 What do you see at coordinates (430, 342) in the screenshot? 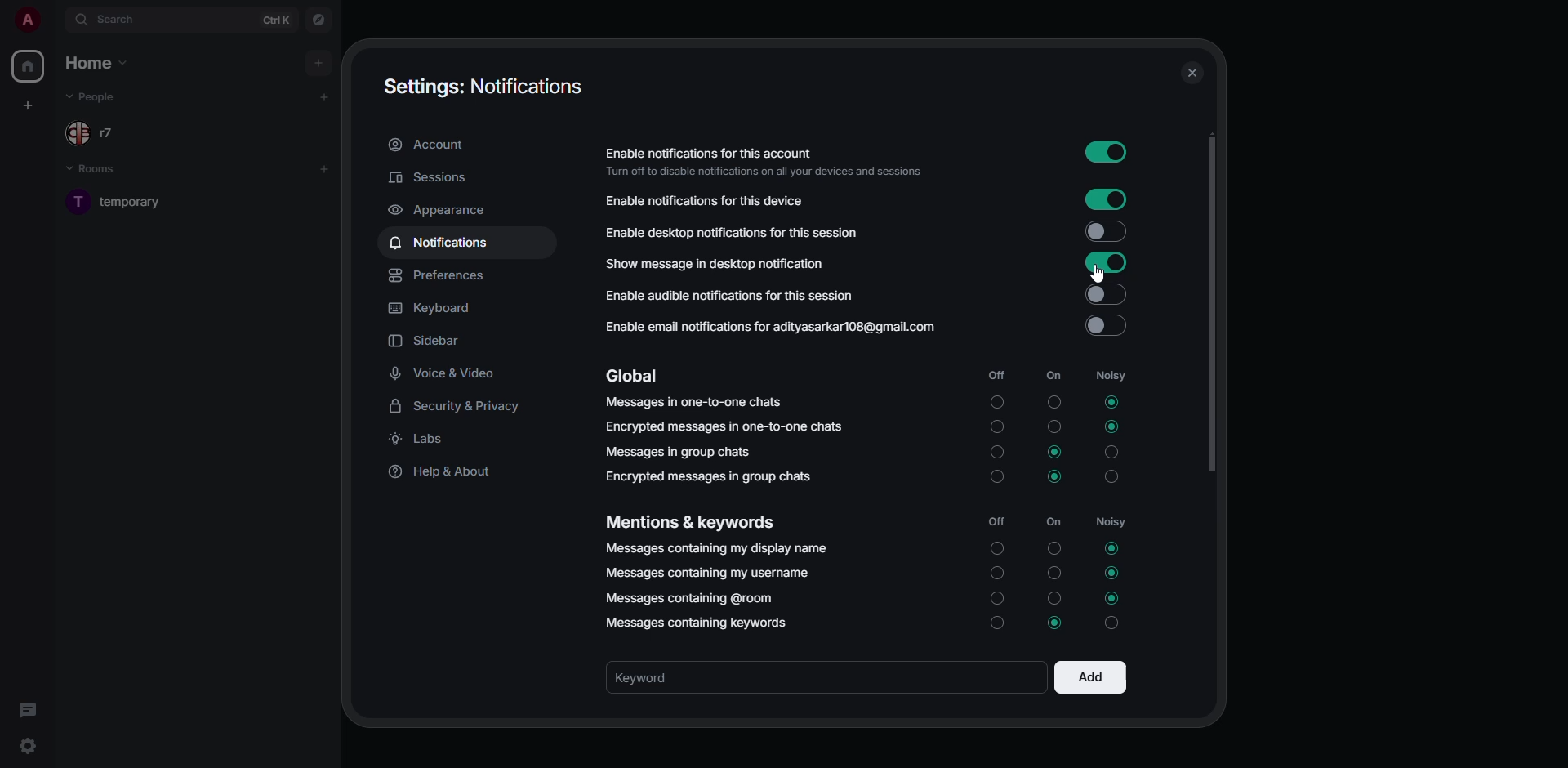
I see `sidebar` at bounding box center [430, 342].